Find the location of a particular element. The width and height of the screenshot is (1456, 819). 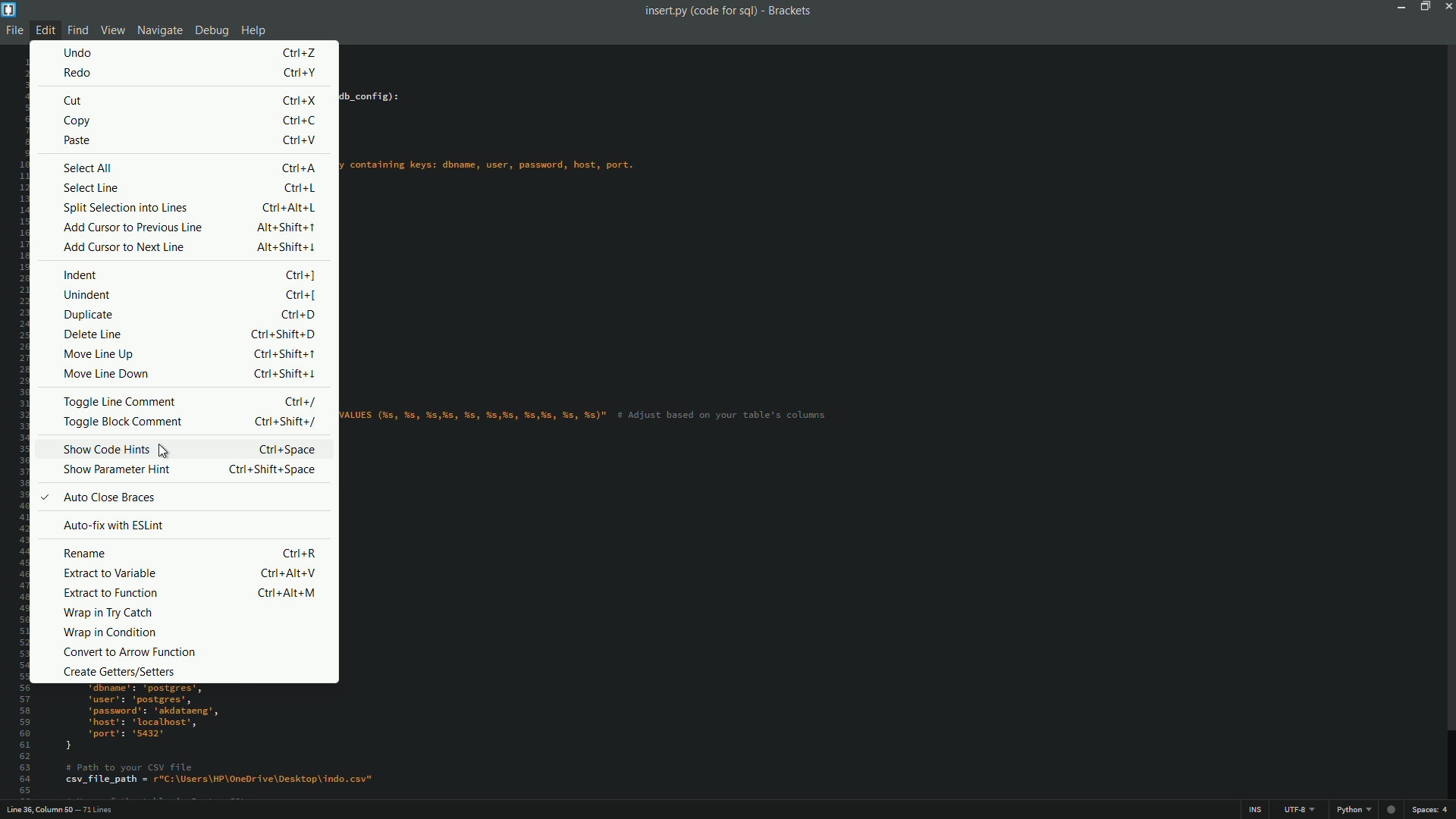

keyboard shortcut is located at coordinates (283, 249).